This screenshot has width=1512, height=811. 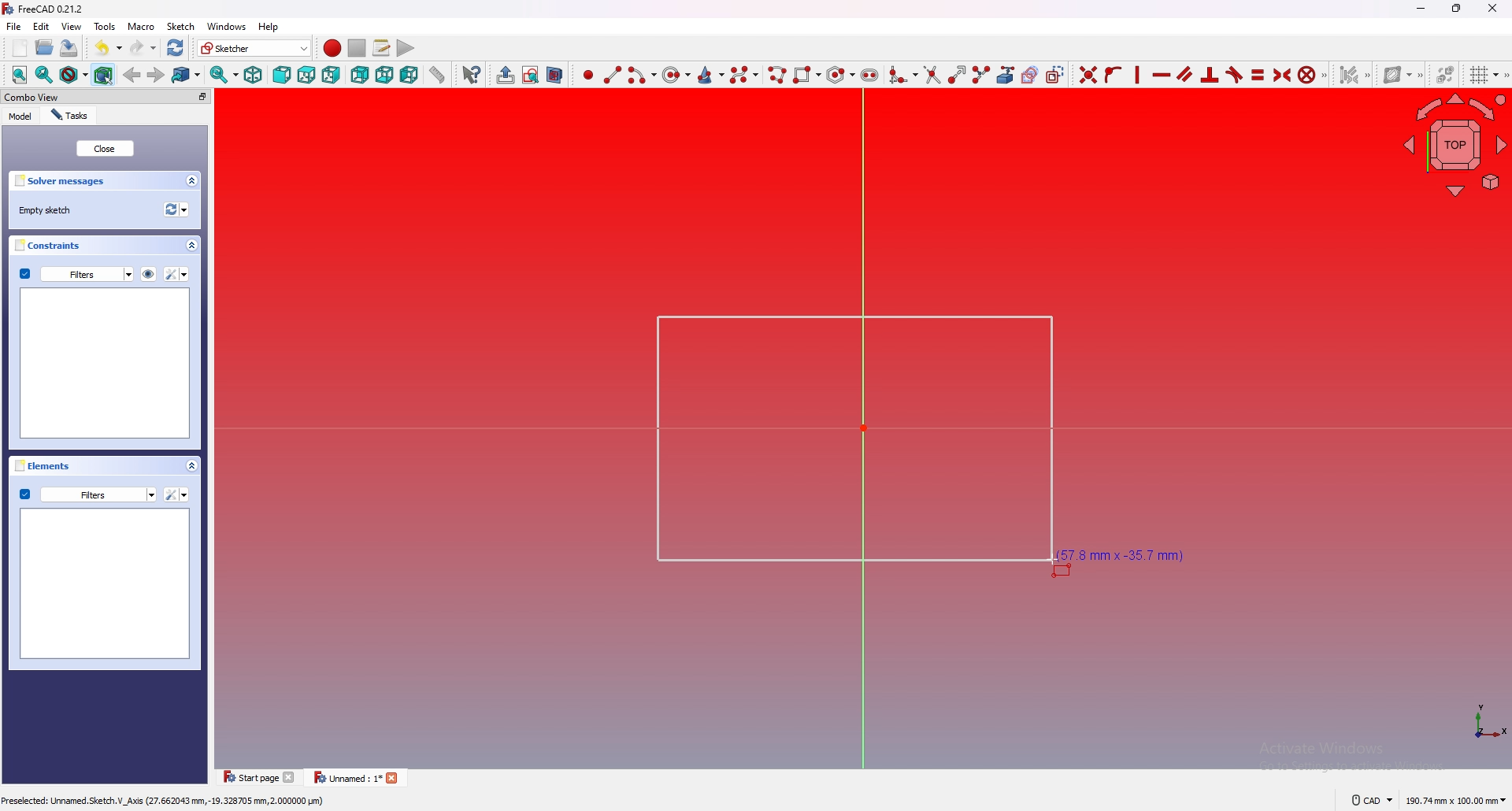 I want to click on create carbon copy, so click(x=1031, y=75).